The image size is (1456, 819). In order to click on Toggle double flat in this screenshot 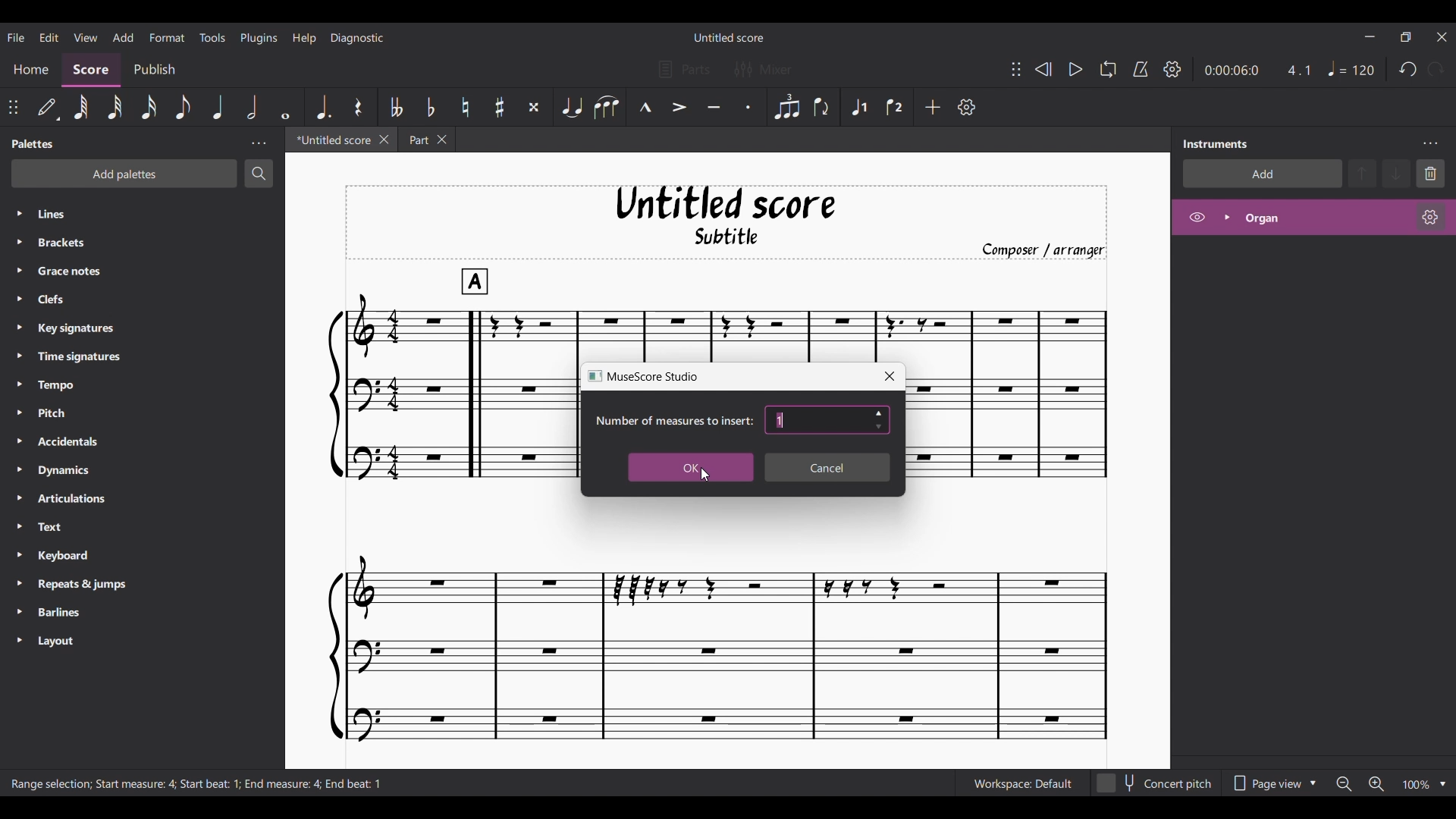, I will do `click(395, 107)`.